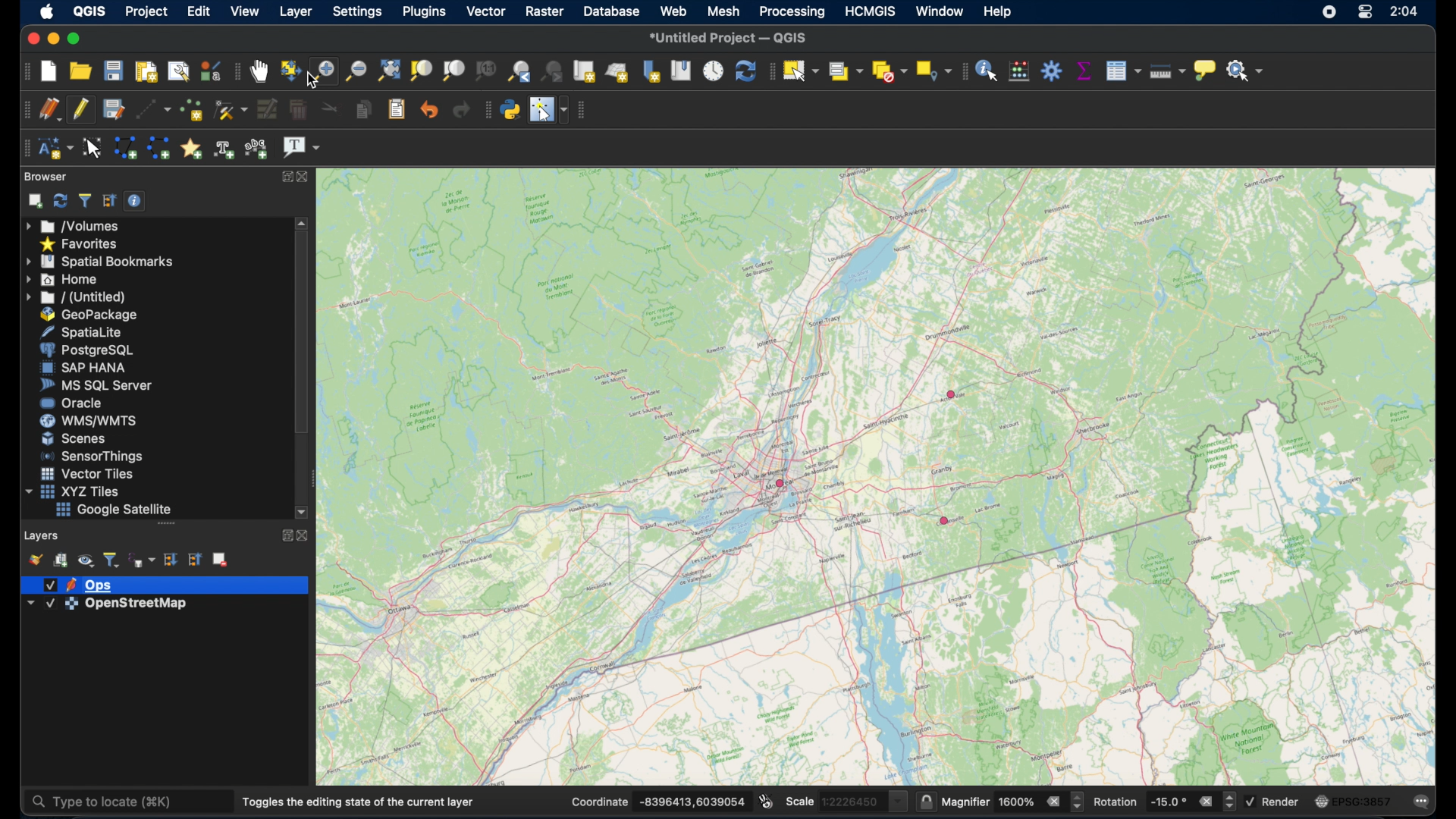 The width and height of the screenshot is (1456, 819). I want to click on saphana, so click(80, 369).